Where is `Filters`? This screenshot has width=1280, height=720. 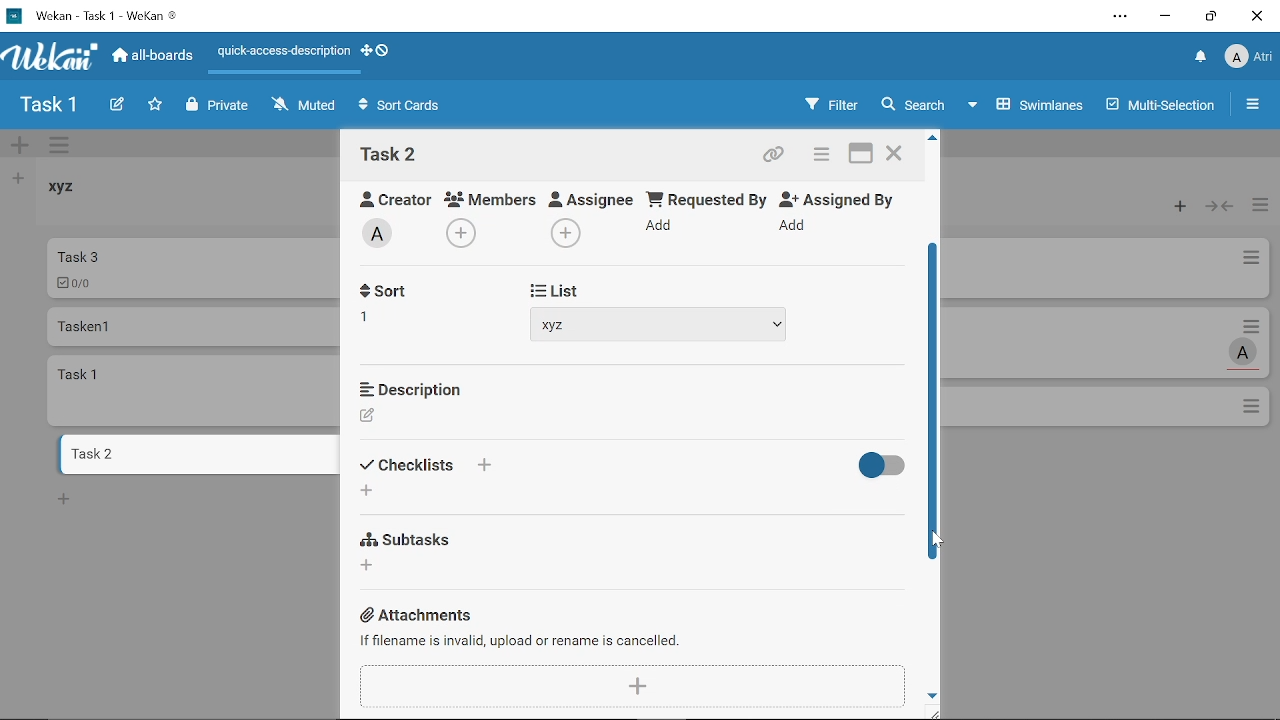
Filters is located at coordinates (827, 105).